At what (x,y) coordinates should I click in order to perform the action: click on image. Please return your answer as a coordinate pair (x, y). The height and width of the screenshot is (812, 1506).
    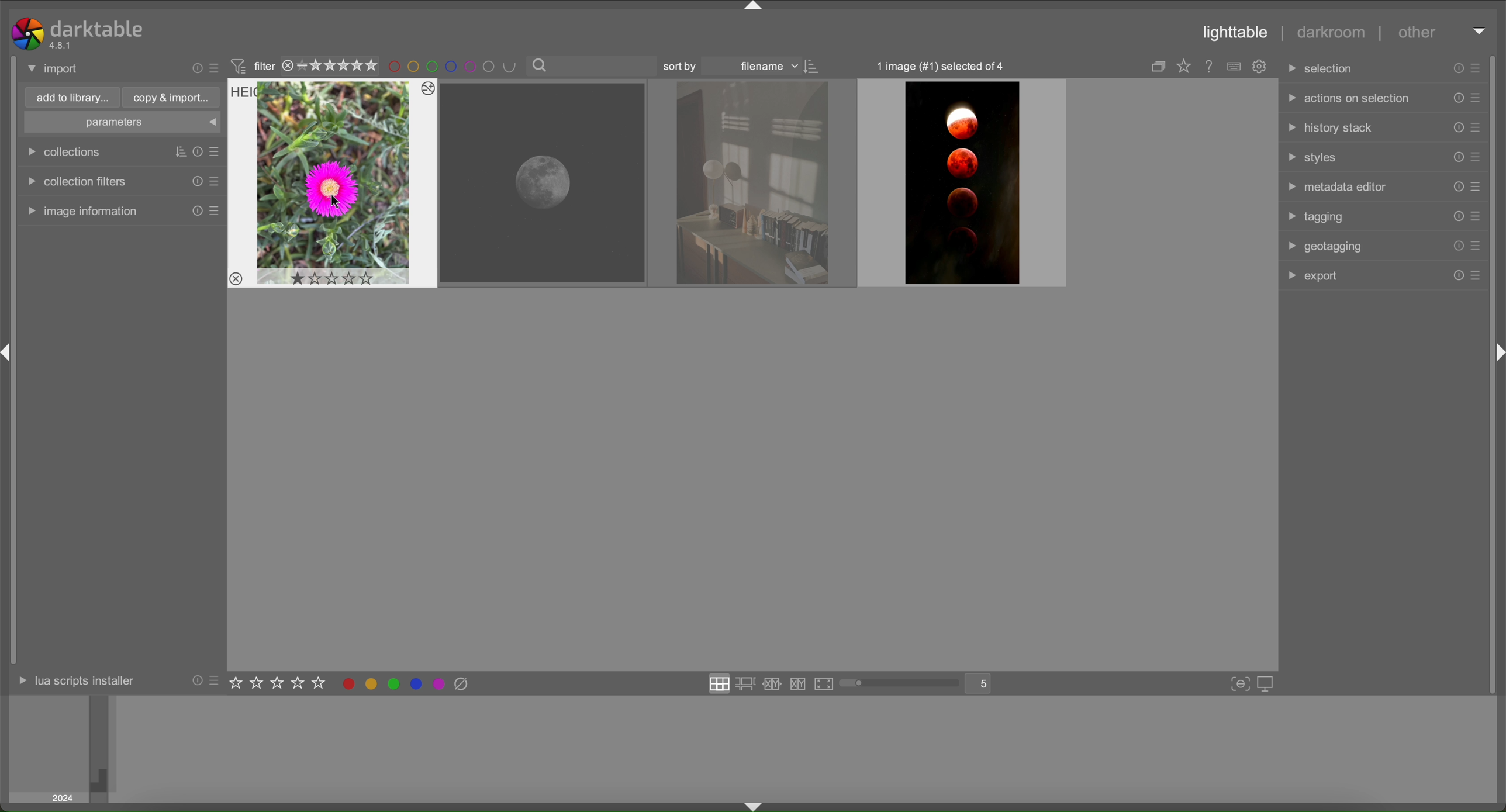
    Looking at the image, I should click on (754, 184).